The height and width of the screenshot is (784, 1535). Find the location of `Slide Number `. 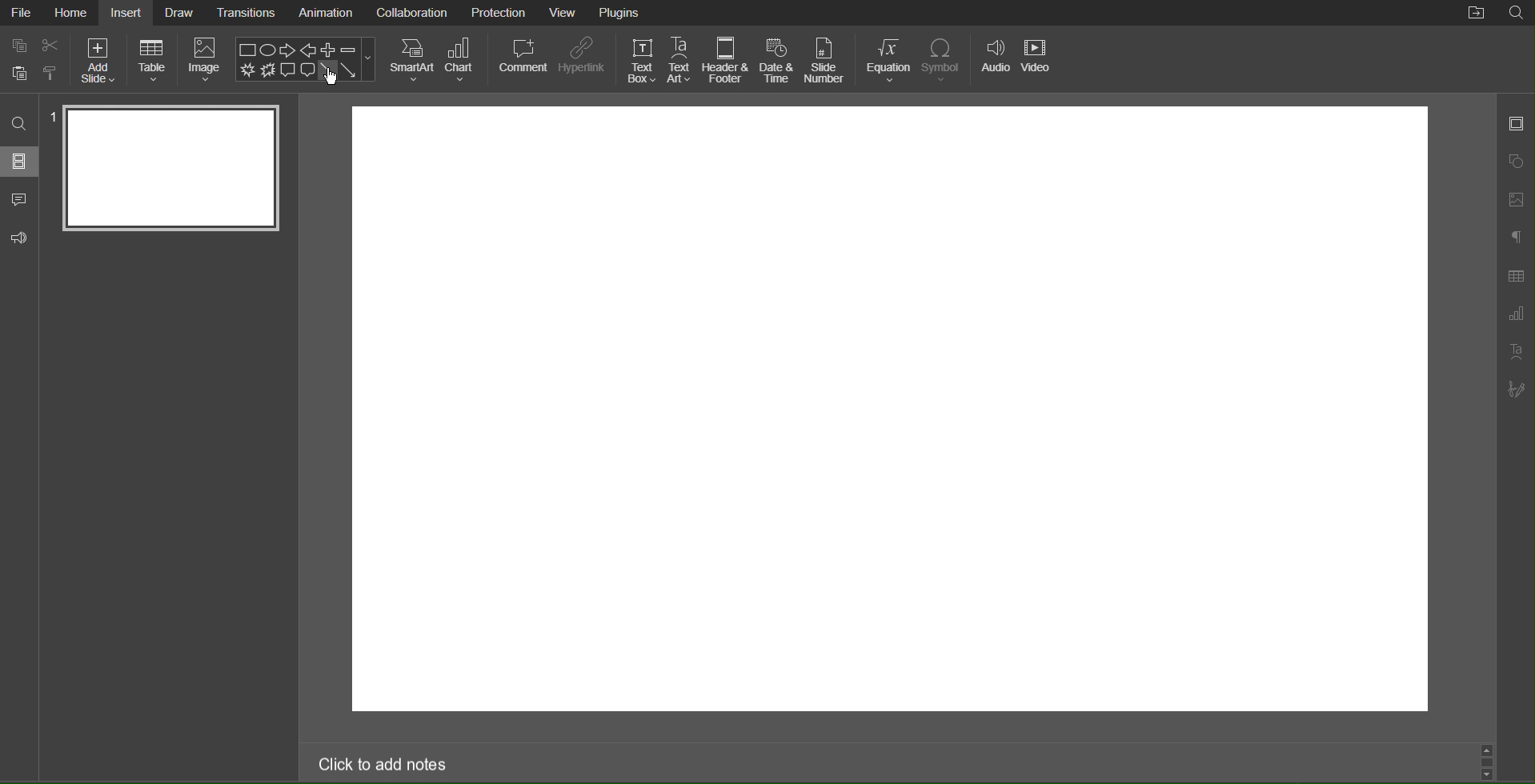

Slide Number  is located at coordinates (826, 59).